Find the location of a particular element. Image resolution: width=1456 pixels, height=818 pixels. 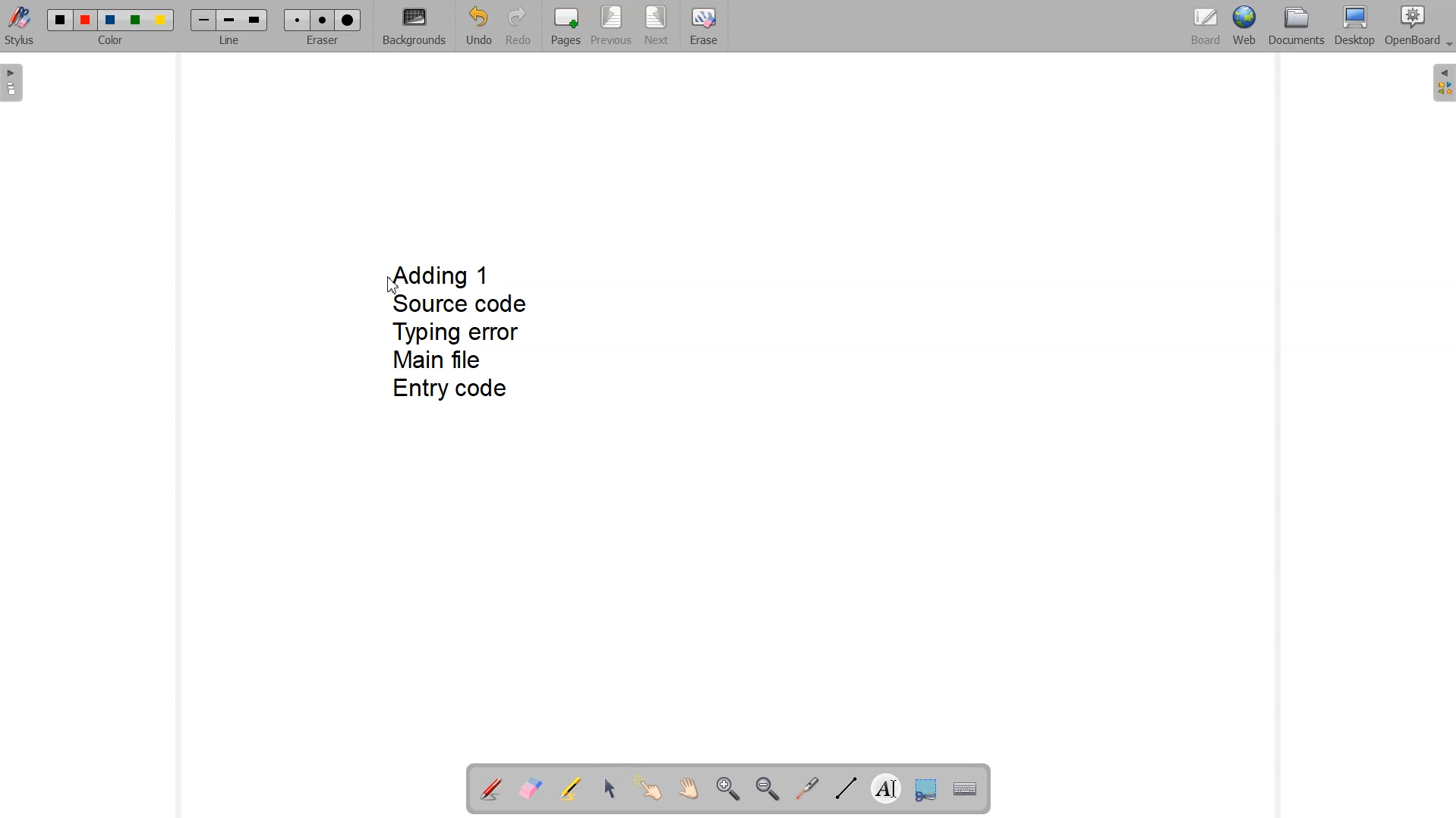

Color 3 is located at coordinates (110, 20).